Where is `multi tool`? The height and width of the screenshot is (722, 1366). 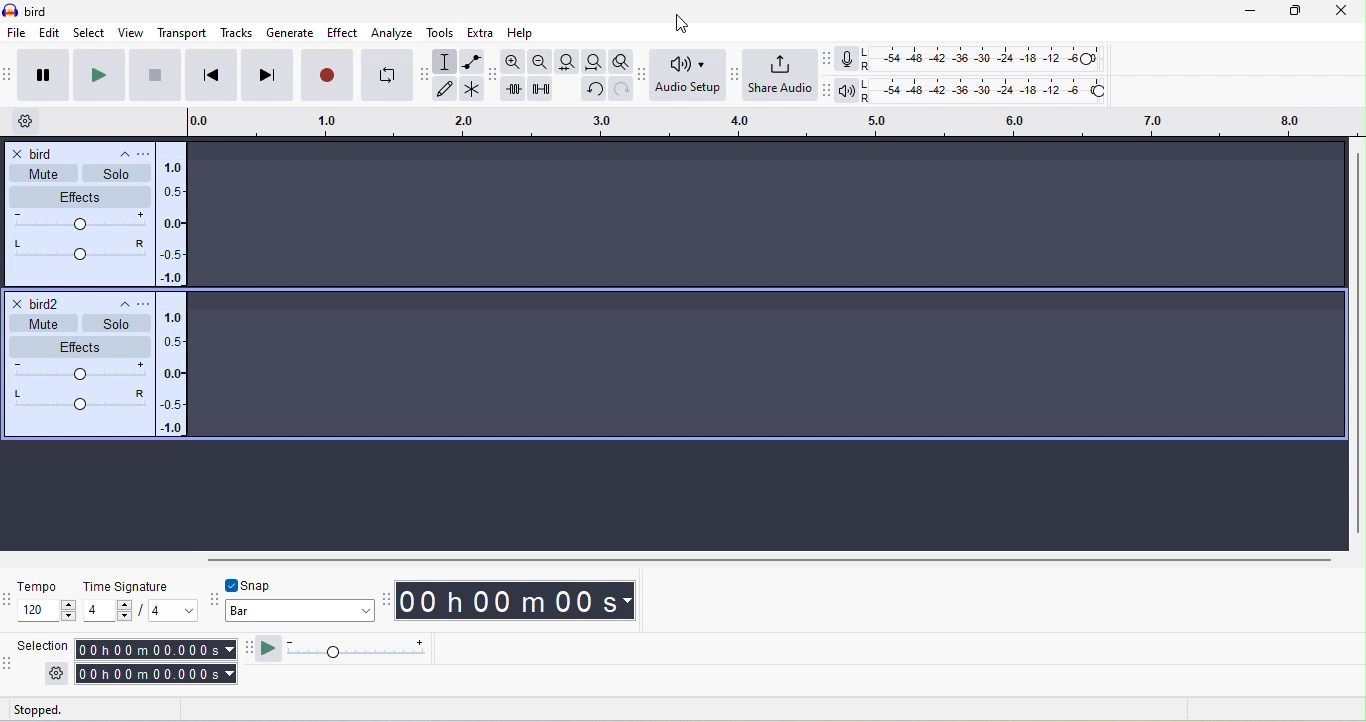
multi tool is located at coordinates (470, 91).